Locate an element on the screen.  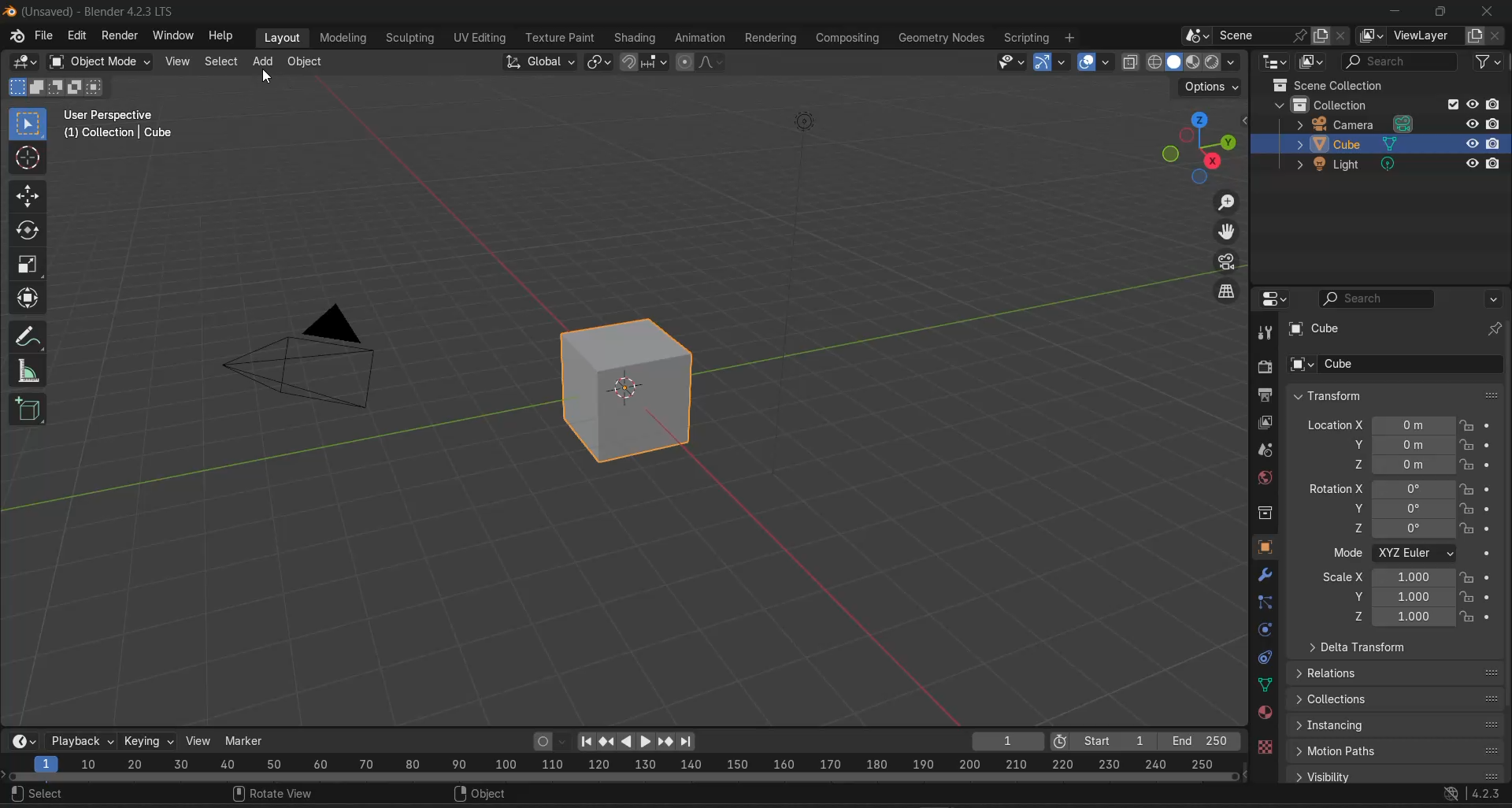
edit is located at coordinates (78, 34).